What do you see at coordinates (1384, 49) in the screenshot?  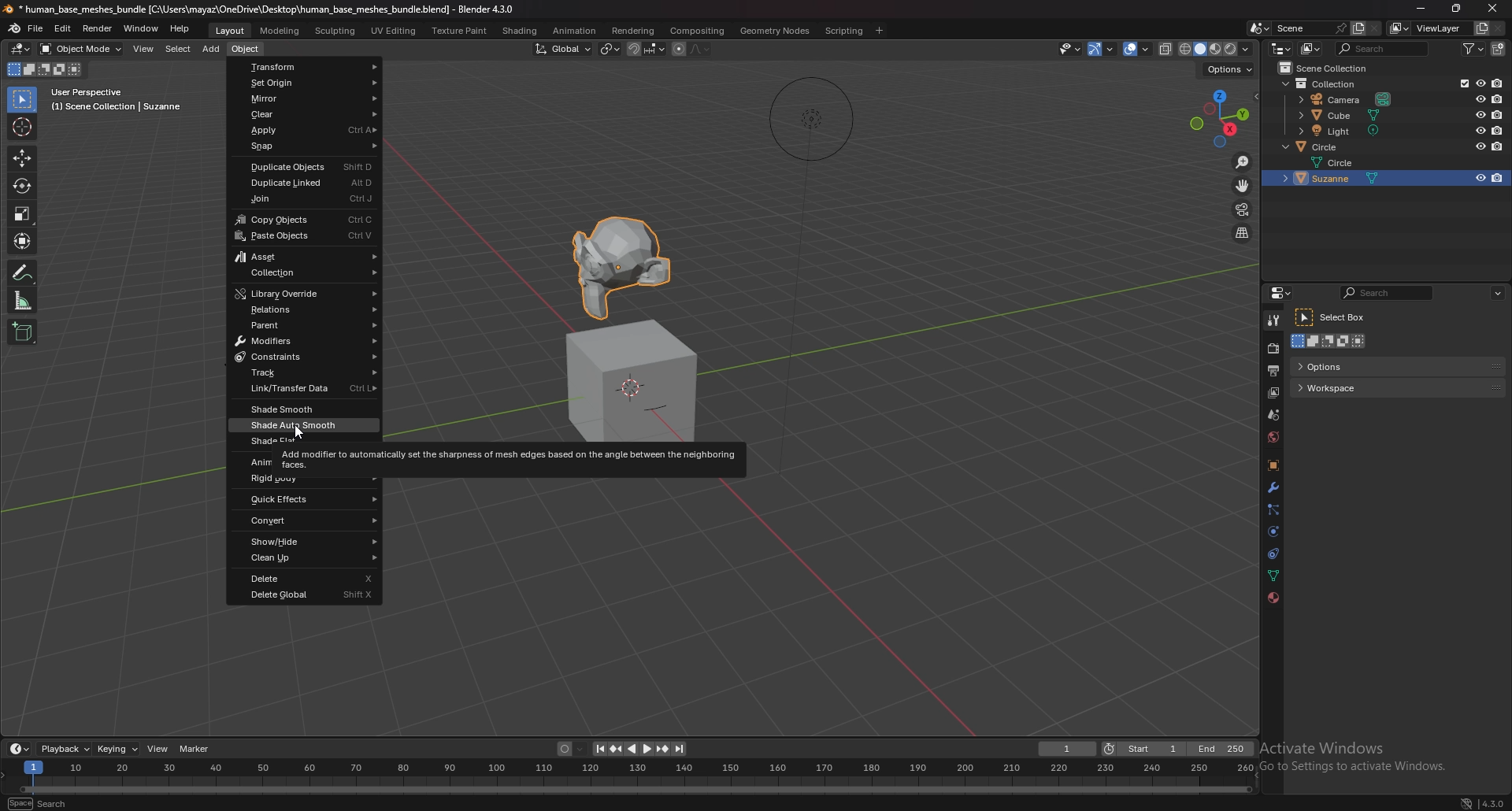 I see `search` at bounding box center [1384, 49].